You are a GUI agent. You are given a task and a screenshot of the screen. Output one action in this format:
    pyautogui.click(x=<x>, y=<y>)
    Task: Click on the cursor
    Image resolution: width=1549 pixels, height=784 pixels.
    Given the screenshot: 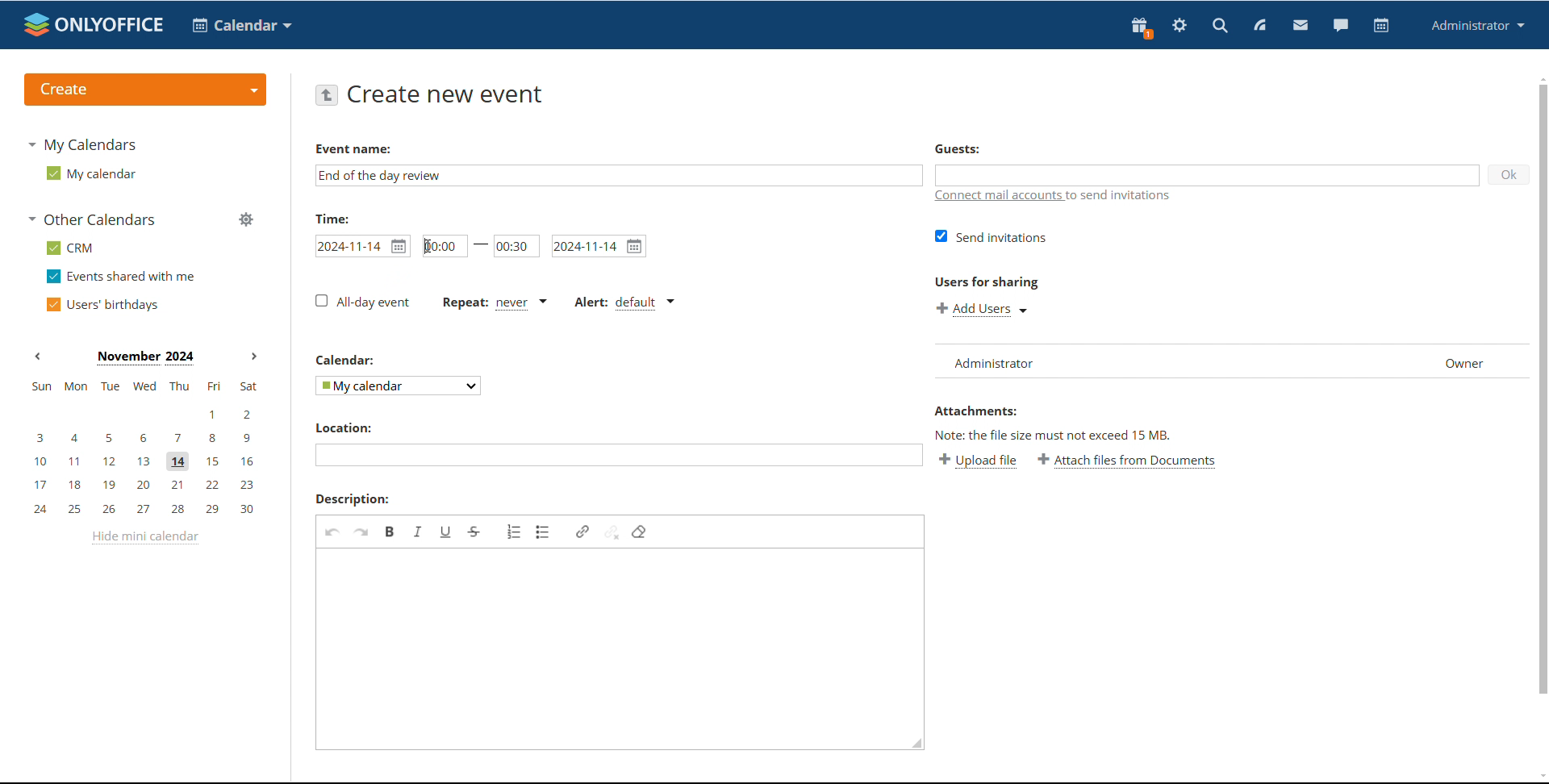 What is the action you would take?
    pyautogui.click(x=430, y=246)
    